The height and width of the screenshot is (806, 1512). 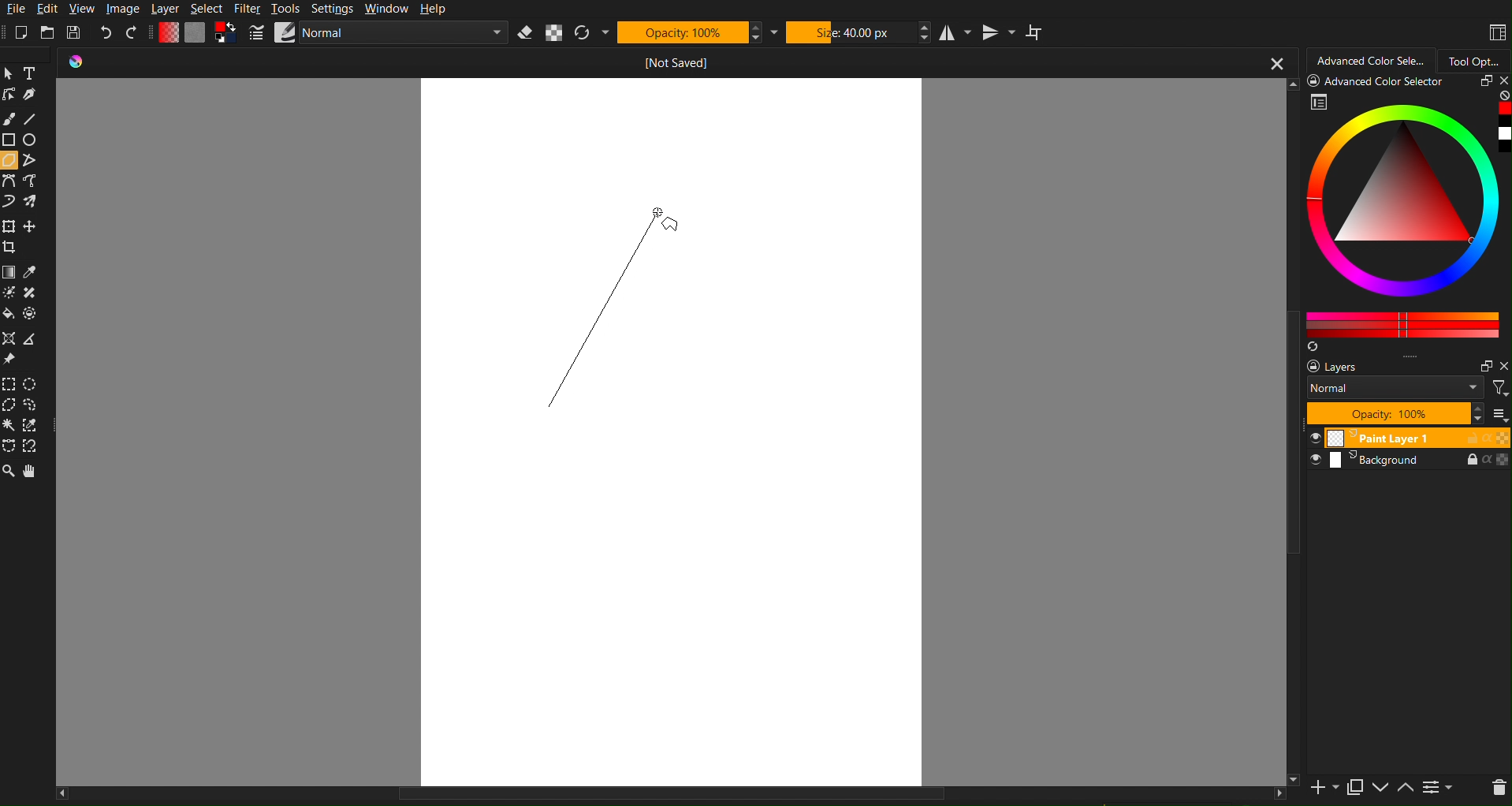 I want to click on sample a color from the image or current layer, so click(x=32, y=273).